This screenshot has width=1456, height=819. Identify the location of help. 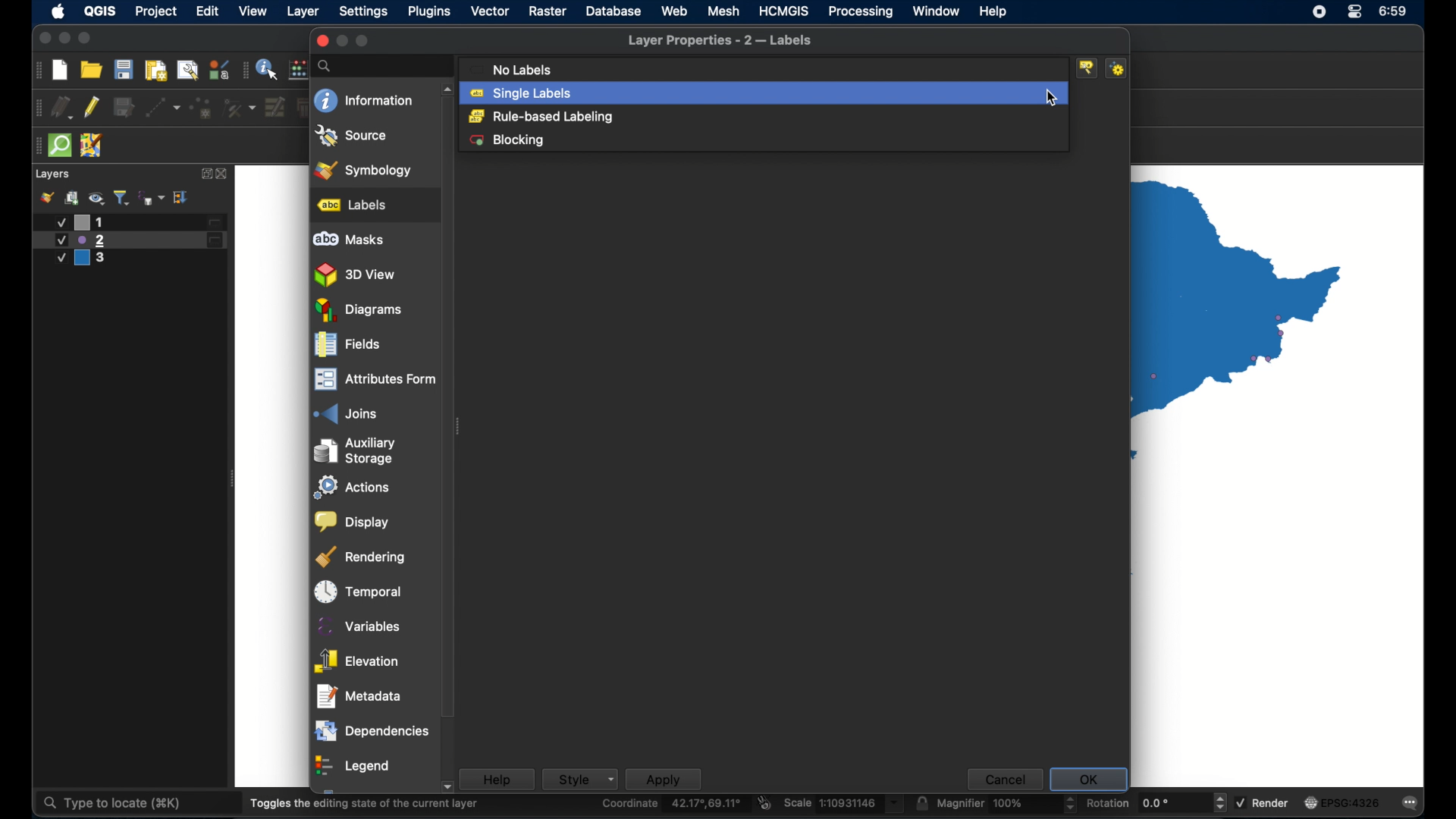
(994, 11).